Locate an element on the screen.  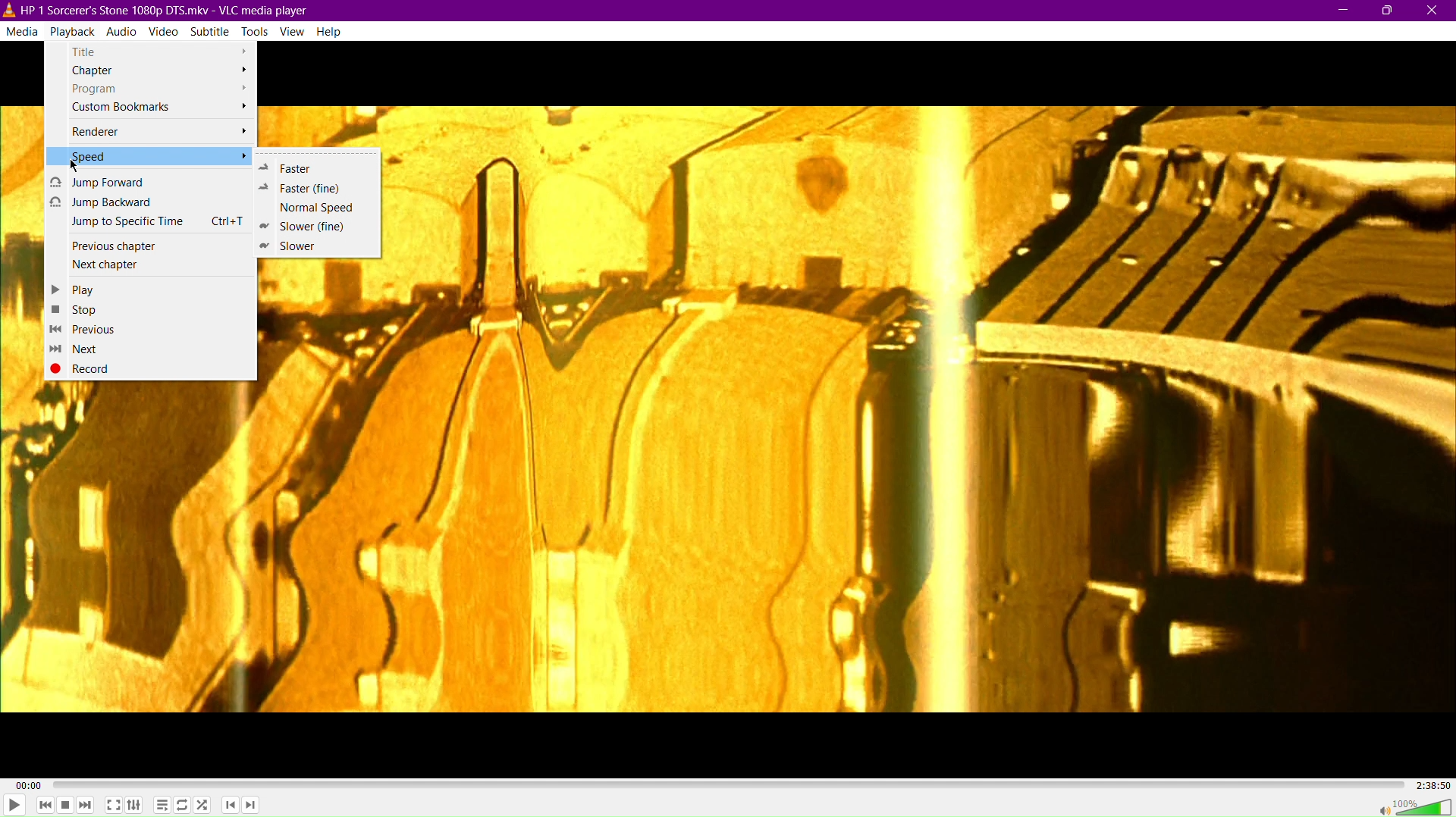
Chapter is located at coordinates (153, 71).